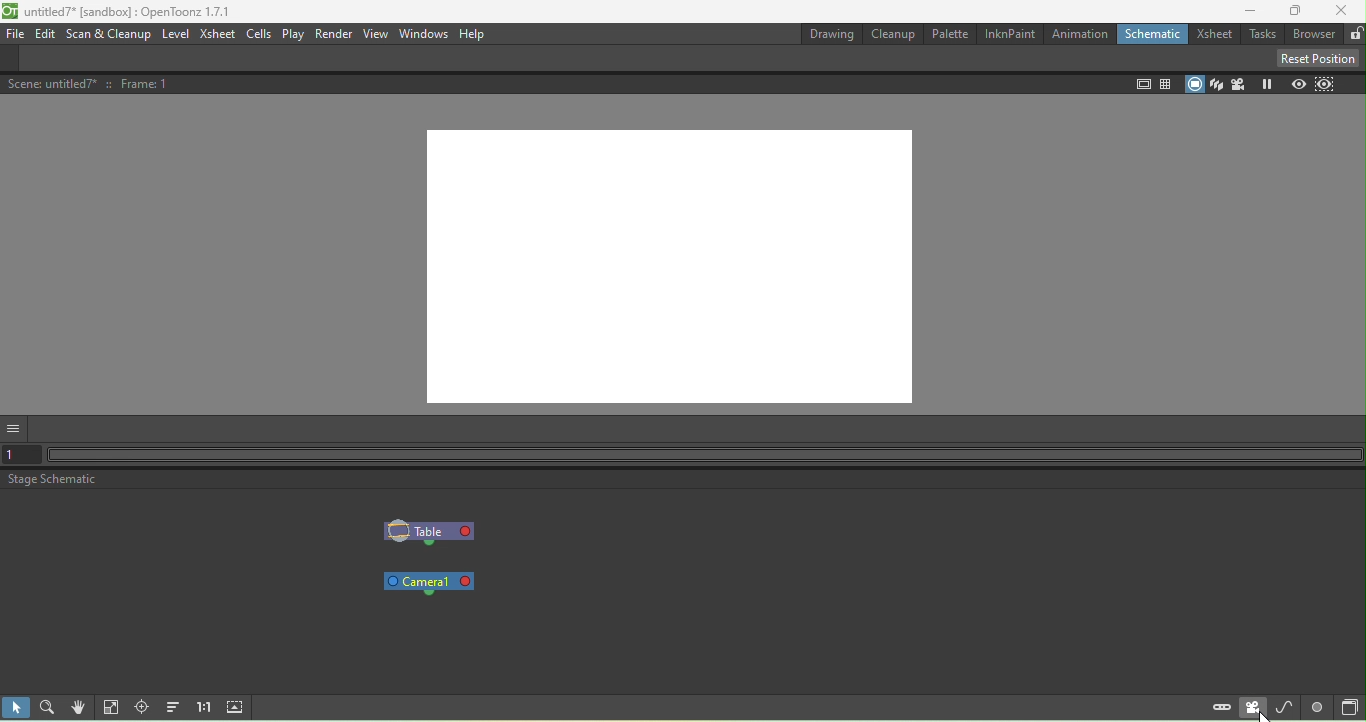 The width and height of the screenshot is (1366, 722). Describe the element at coordinates (1324, 84) in the screenshot. I see `Sub-camera preview` at that location.